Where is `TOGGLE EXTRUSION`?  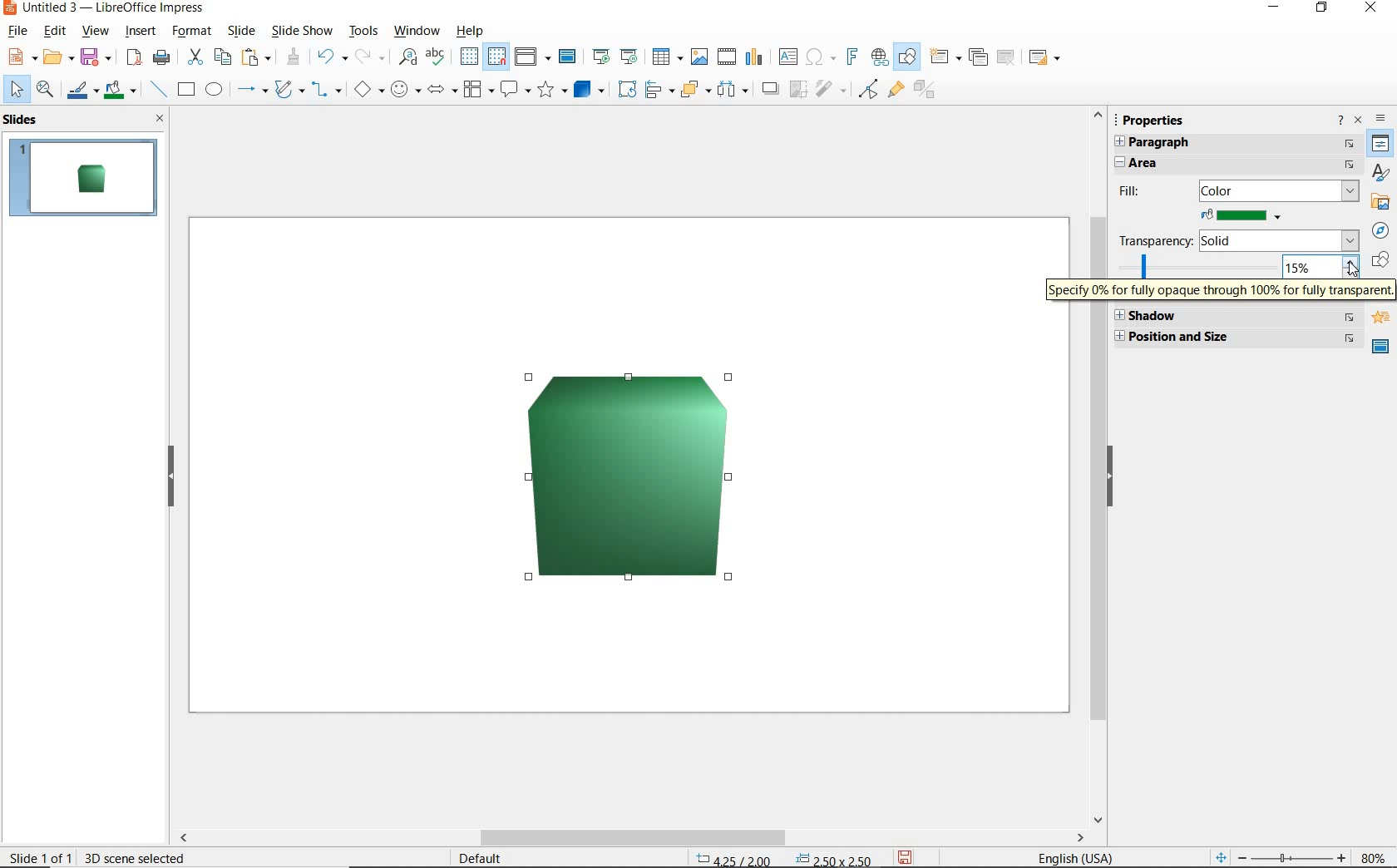
TOGGLE EXTRUSION is located at coordinates (926, 91).